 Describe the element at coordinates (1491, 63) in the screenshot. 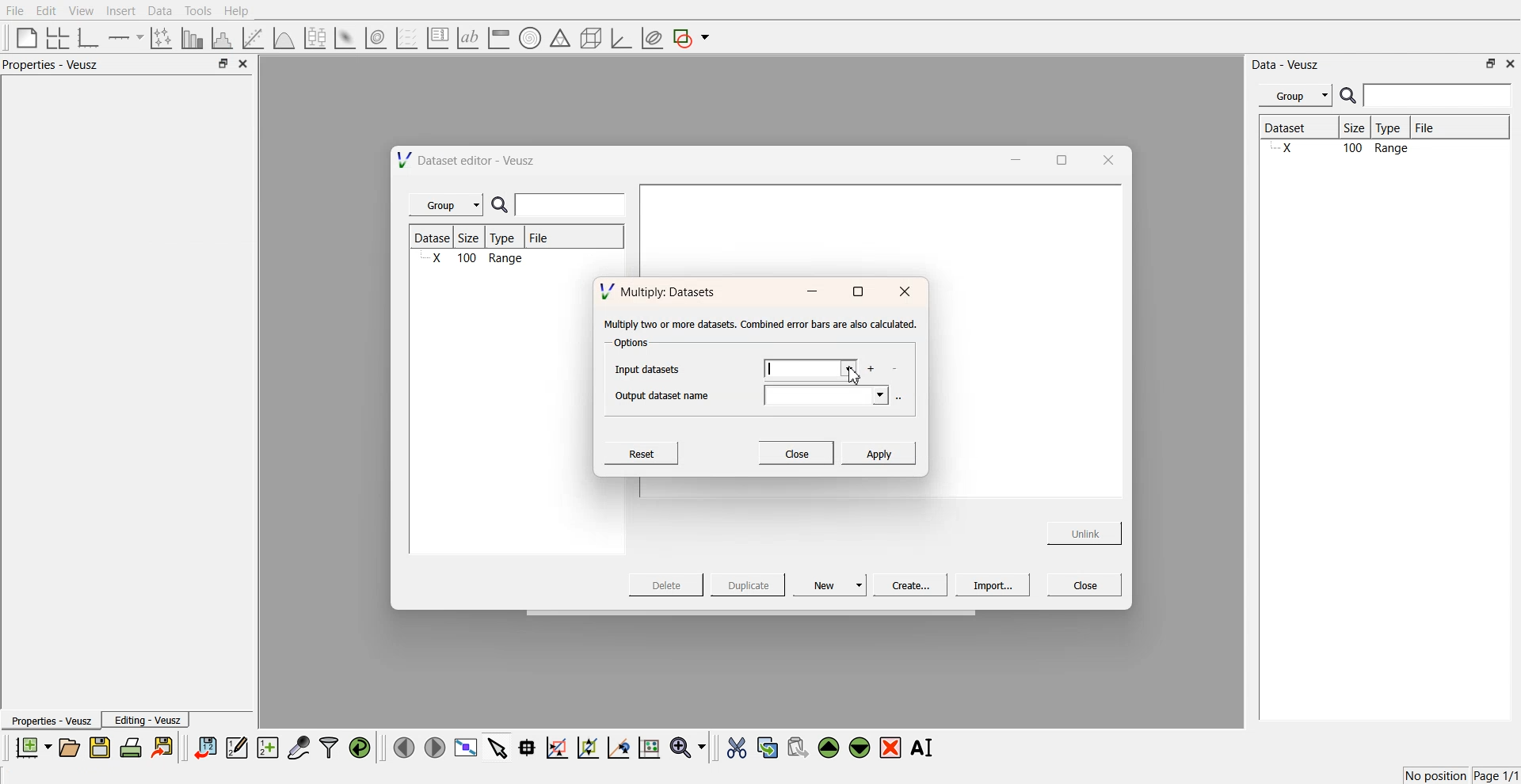

I see `minimise or maximise` at that location.